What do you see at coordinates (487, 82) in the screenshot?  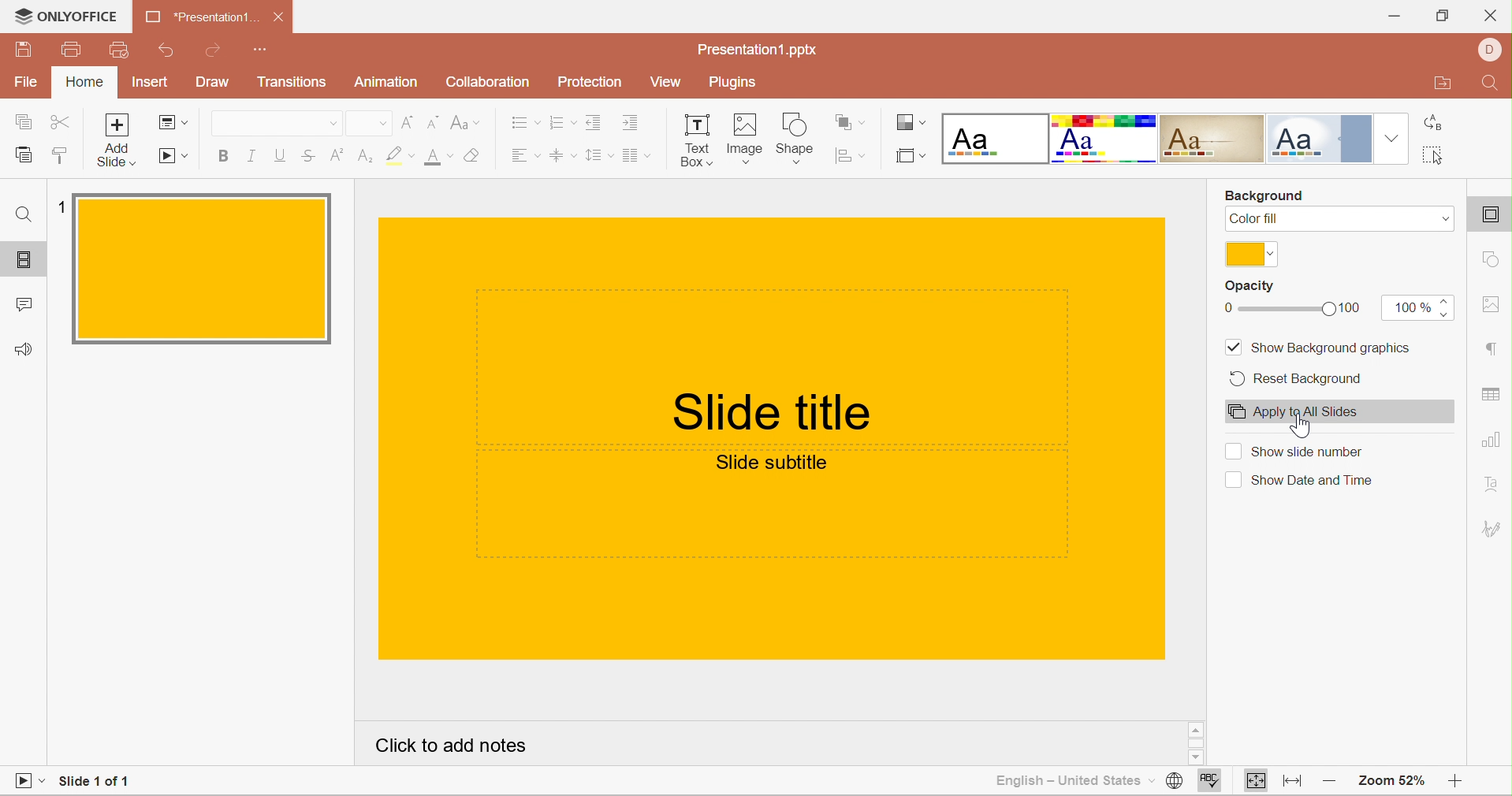 I see `Collaboration` at bounding box center [487, 82].